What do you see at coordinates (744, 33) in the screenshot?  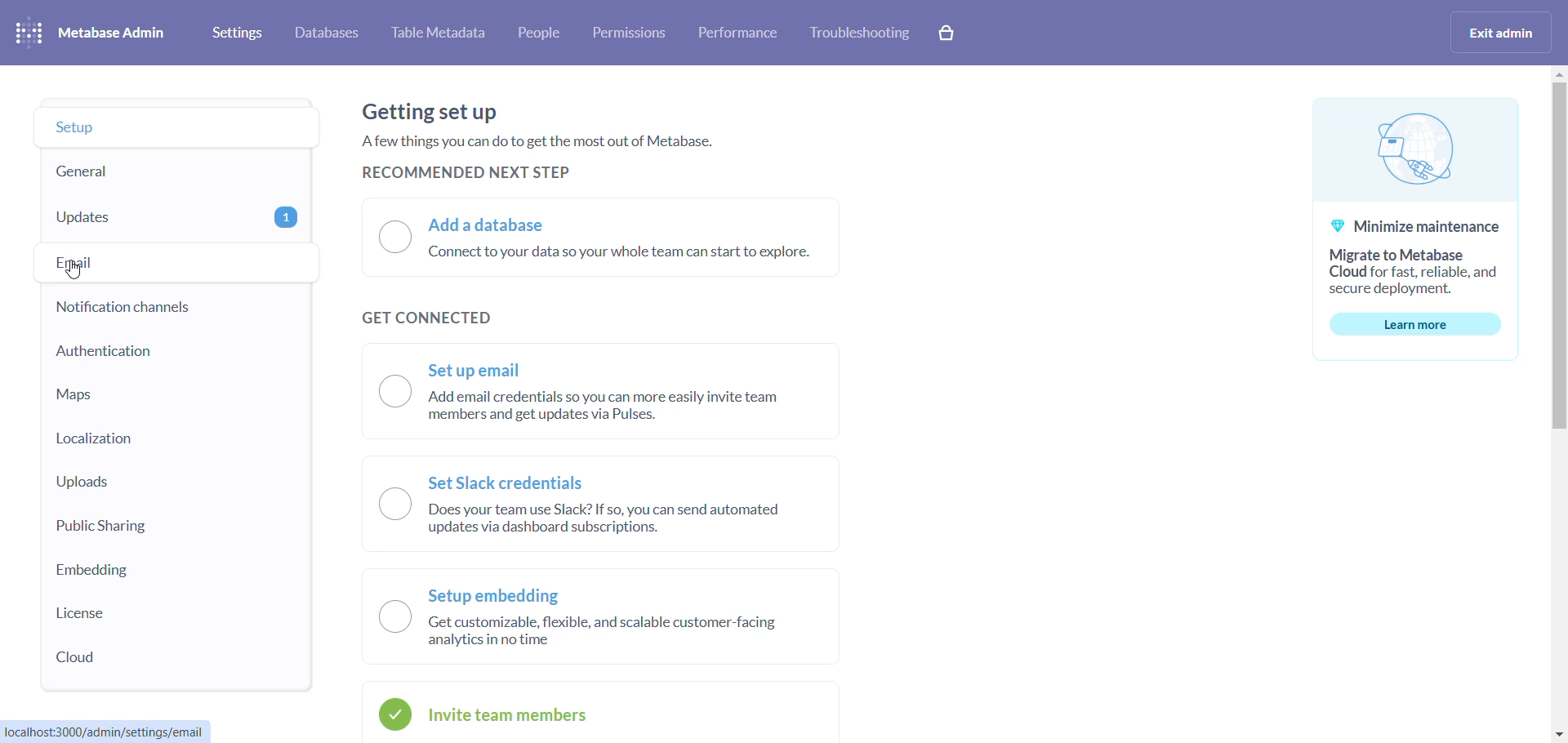 I see `performance` at bounding box center [744, 33].